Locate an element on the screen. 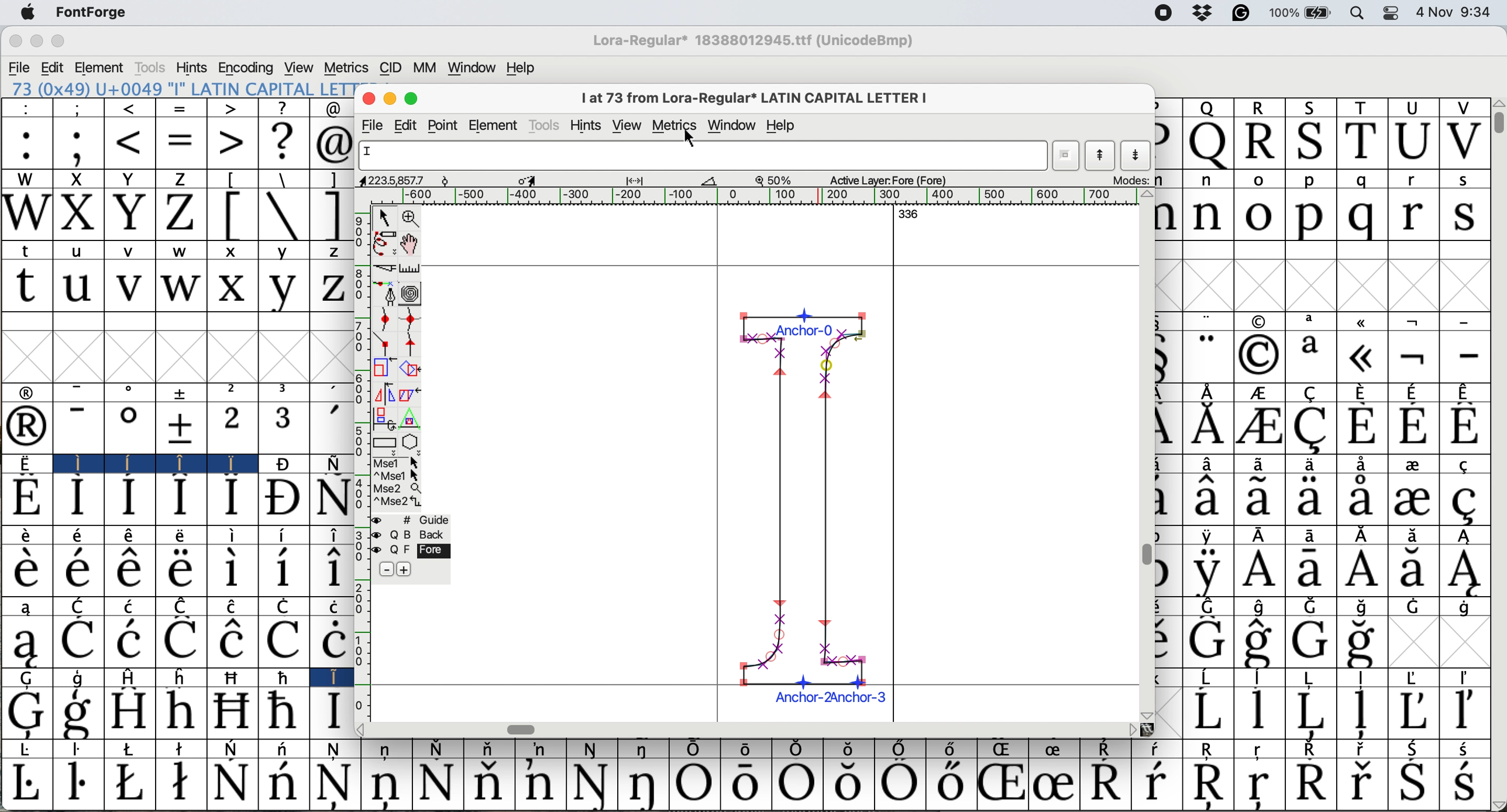 This screenshot has width=1507, height=812.  is located at coordinates (1498, 102).